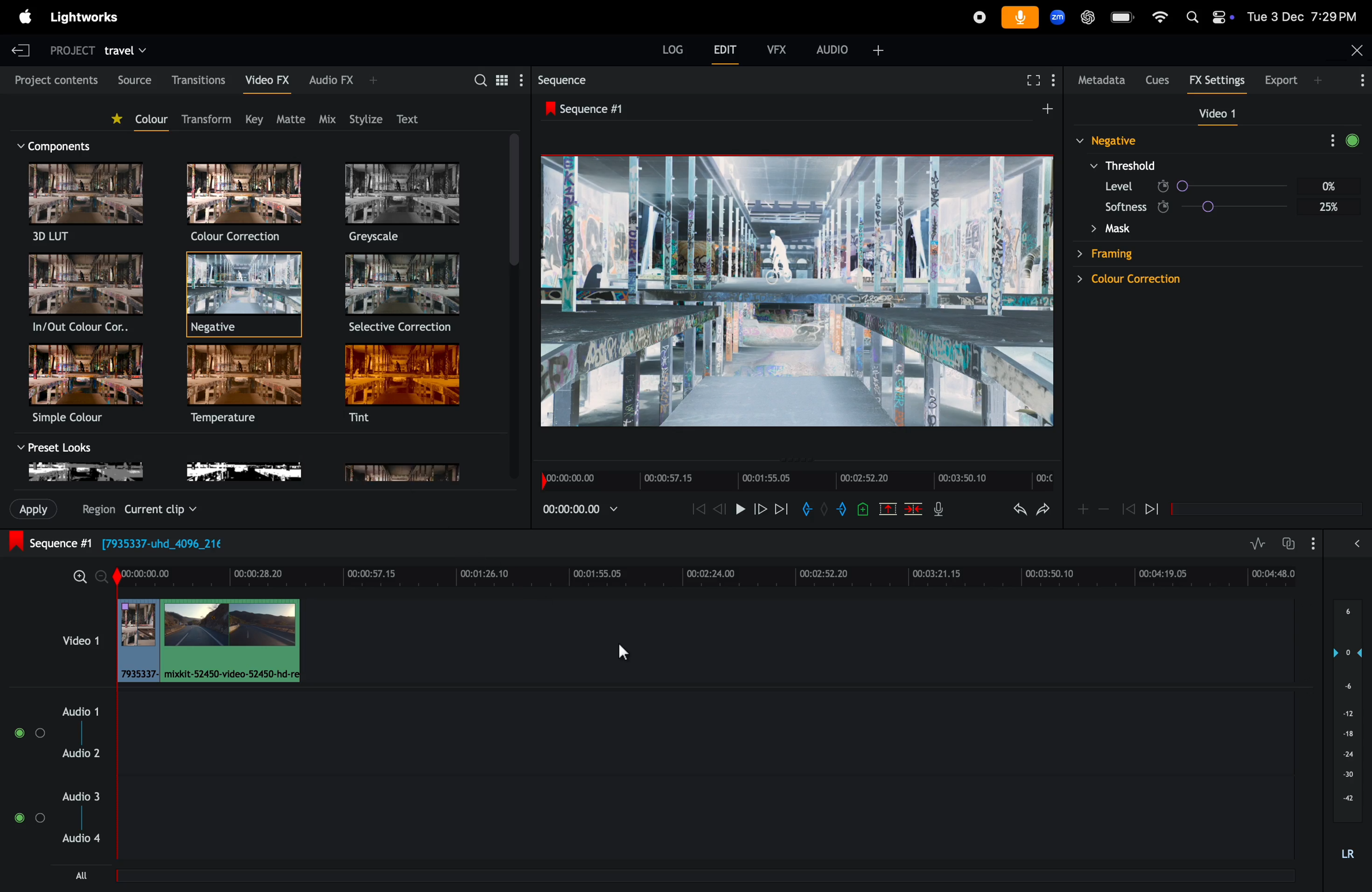  What do you see at coordinates (71, 50) in the screenshot?
I see `project` at bounding box center [71, 50].